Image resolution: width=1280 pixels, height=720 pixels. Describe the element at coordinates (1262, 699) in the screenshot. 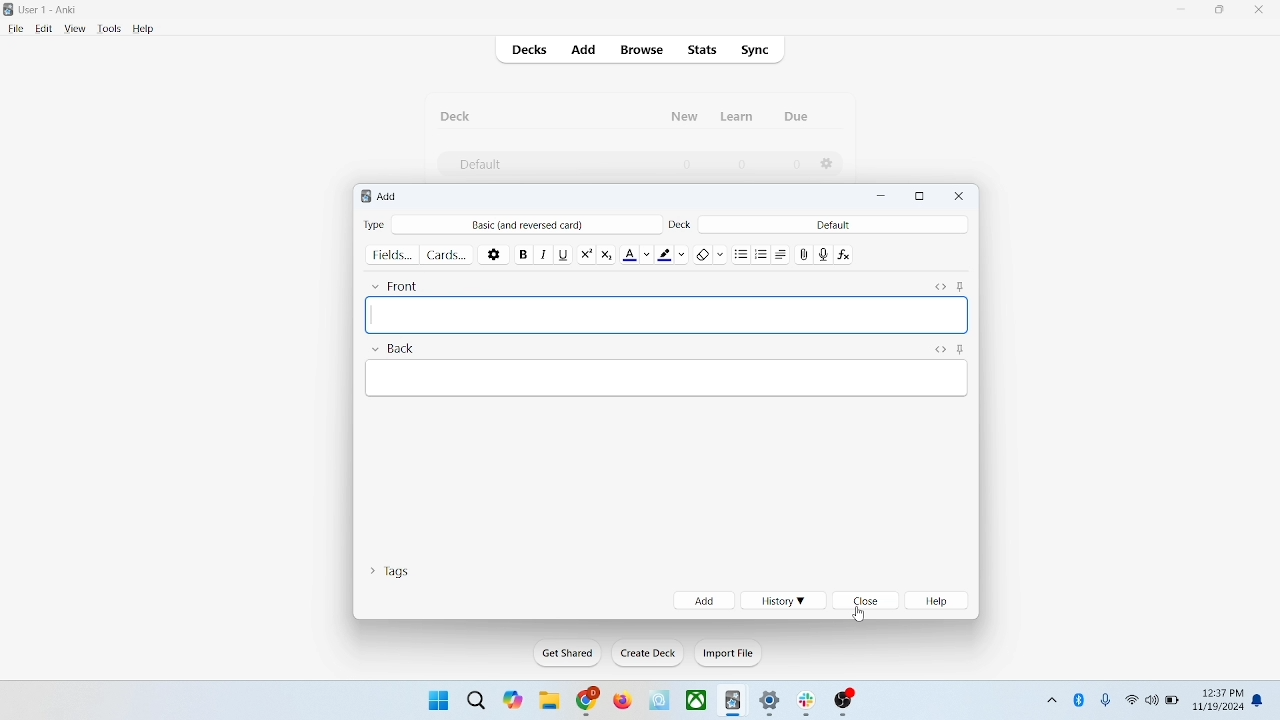

I see `notification` at that location.